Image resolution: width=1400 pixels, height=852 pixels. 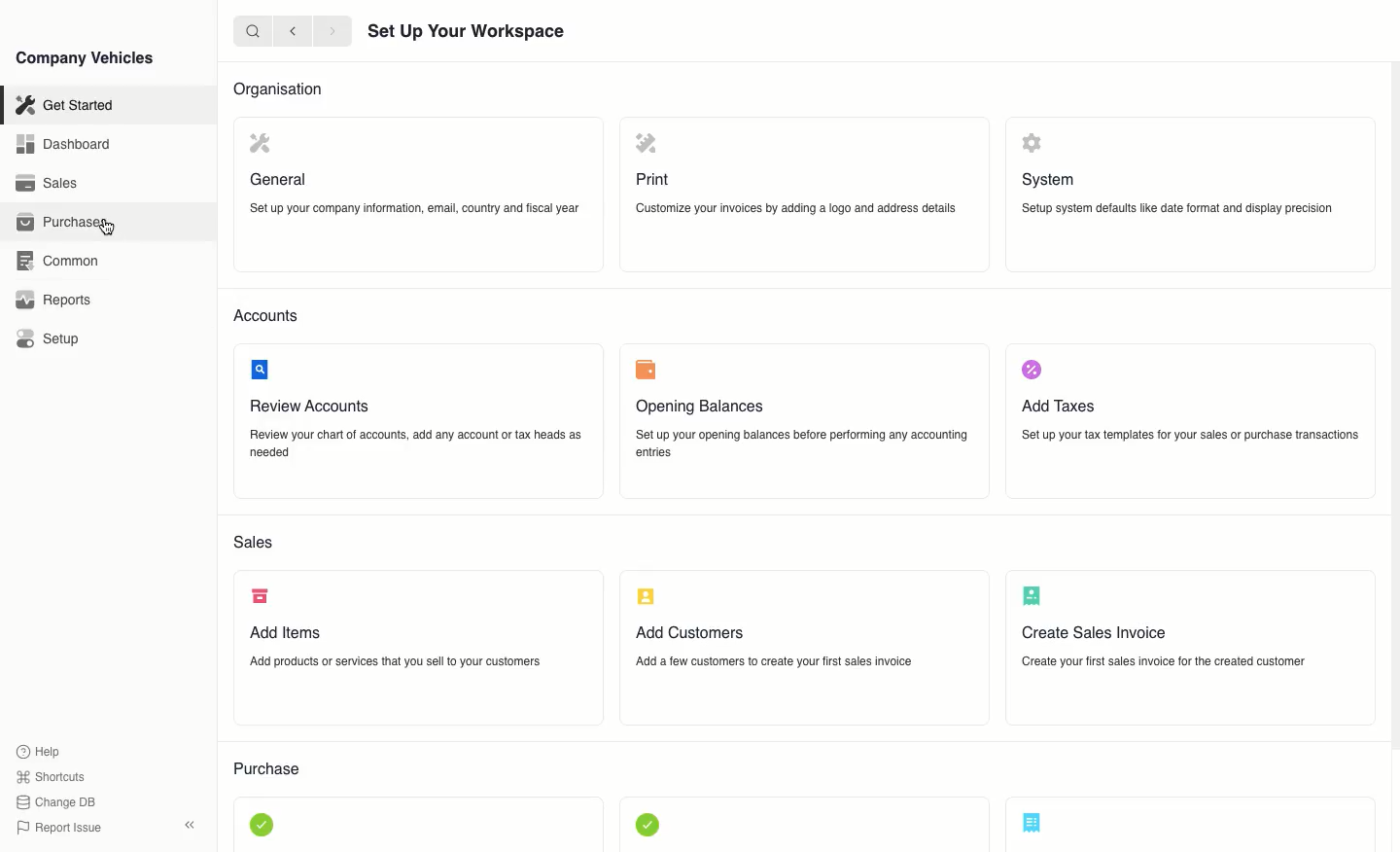 I want to click on cursor, so click(x=112, y=227).